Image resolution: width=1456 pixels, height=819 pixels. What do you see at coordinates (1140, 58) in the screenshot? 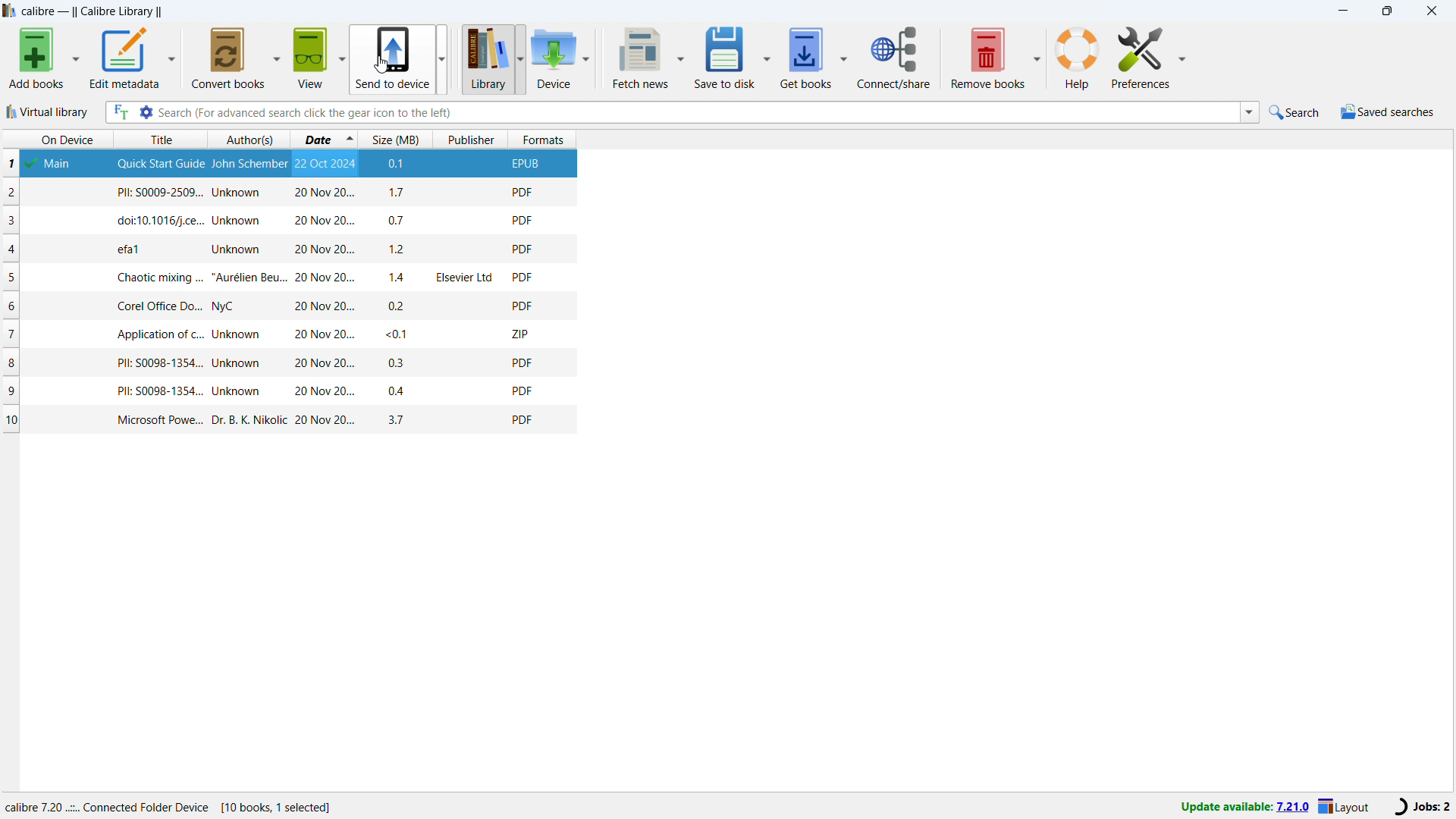
I see `preferences options` at bounding box center [1140, 58].